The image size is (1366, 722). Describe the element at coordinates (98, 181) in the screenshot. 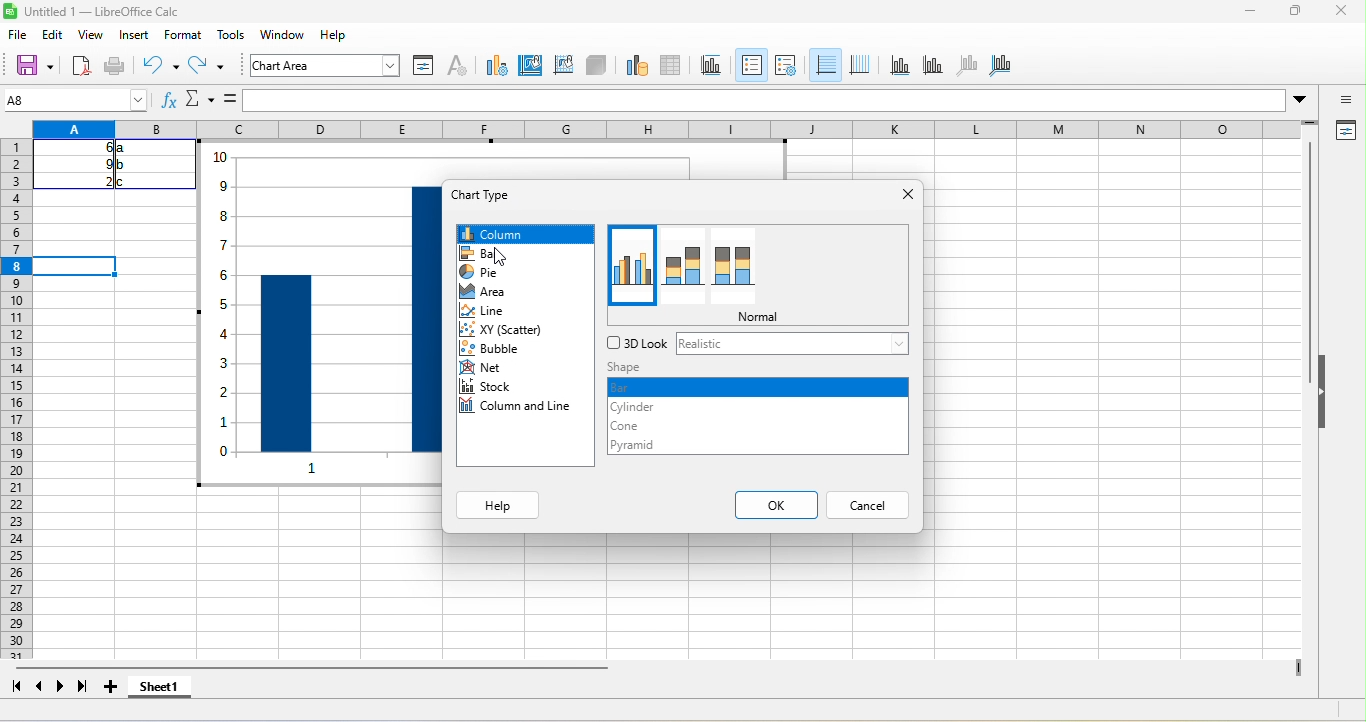

I see `2` at that location.